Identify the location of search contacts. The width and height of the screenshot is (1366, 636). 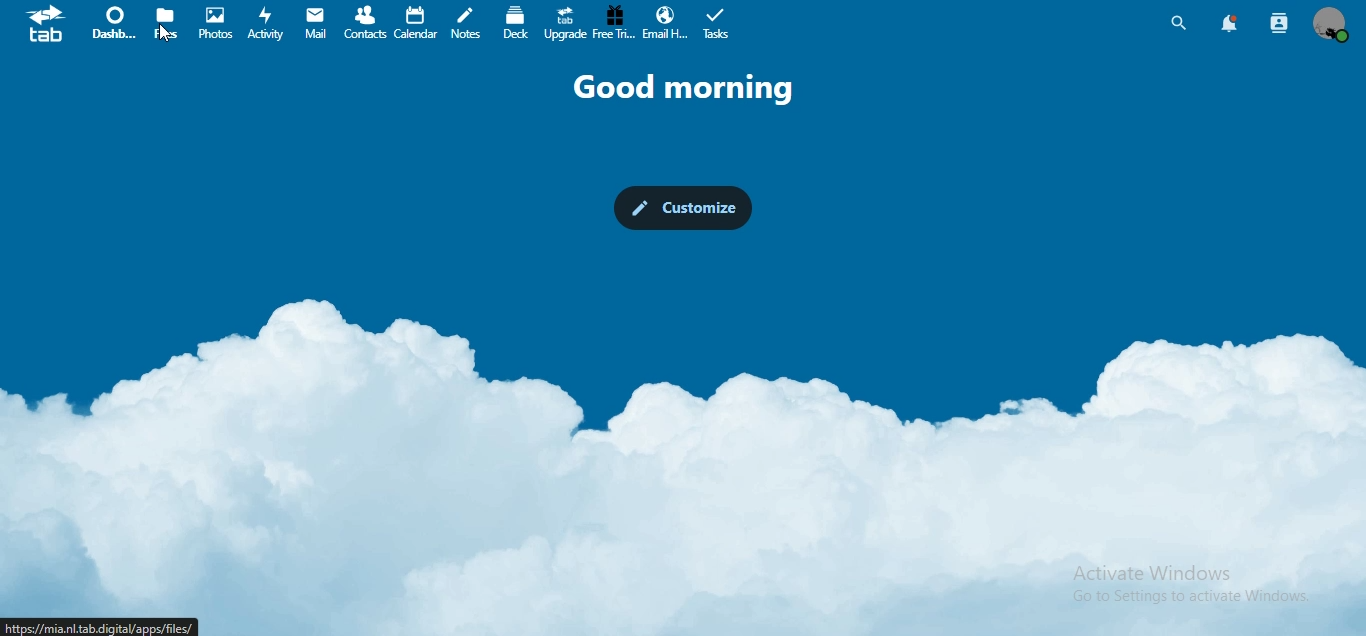
(1280, 22).